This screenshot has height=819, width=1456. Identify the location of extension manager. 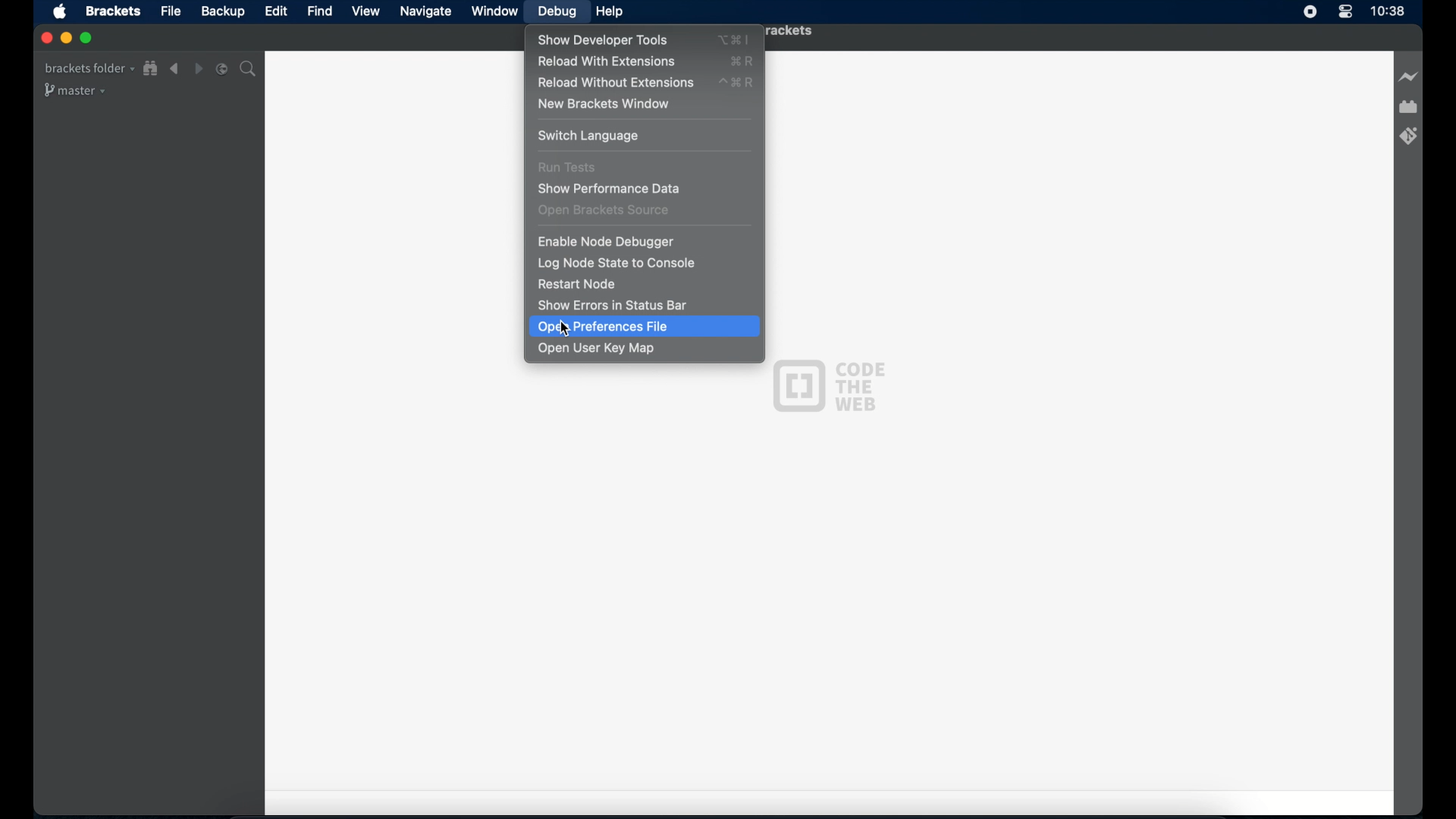
(1408, 107).